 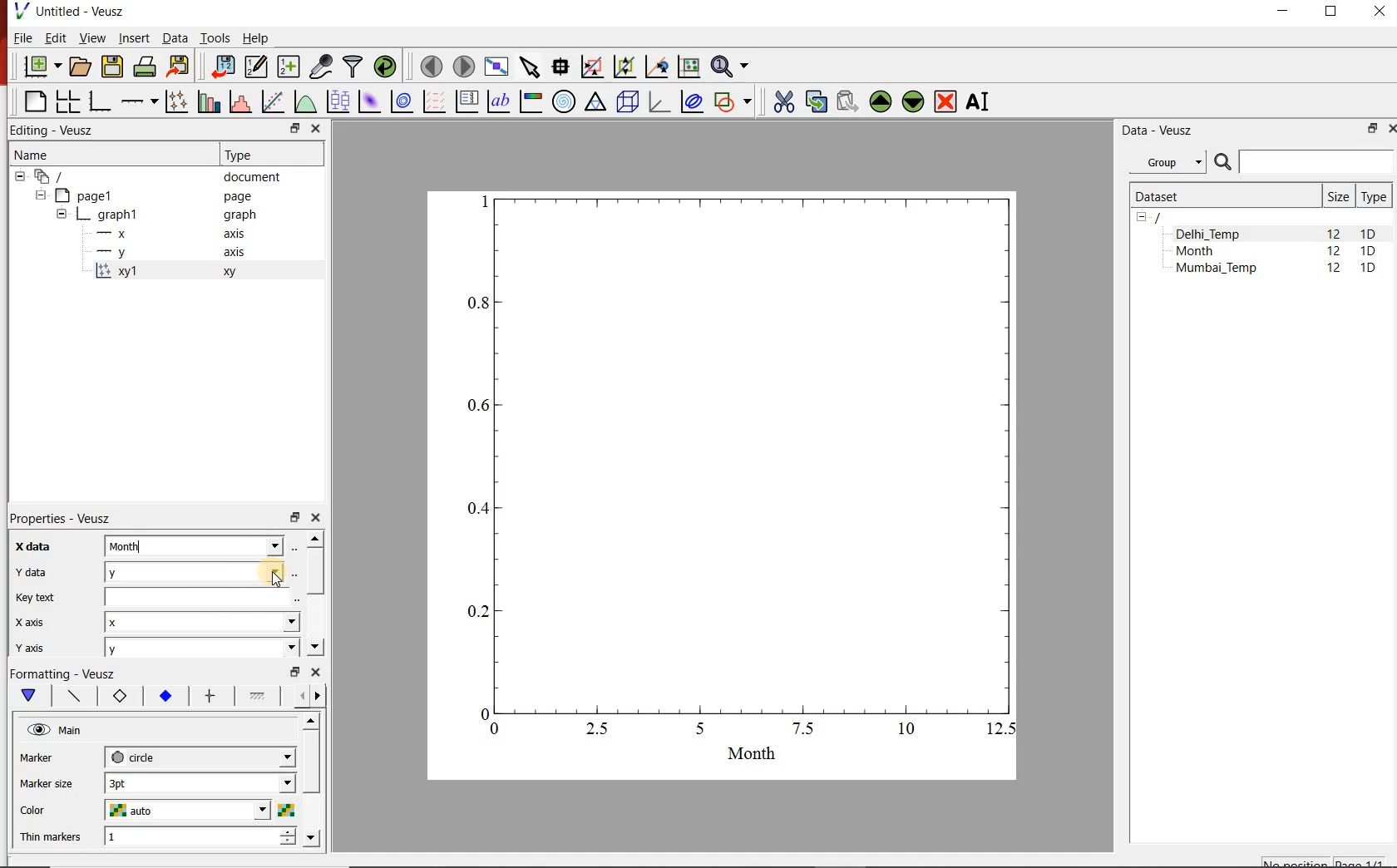 What do you see at coordinates (1338, 196) in the screenshot?
I see `Size` at bounding box center [1338, 196].